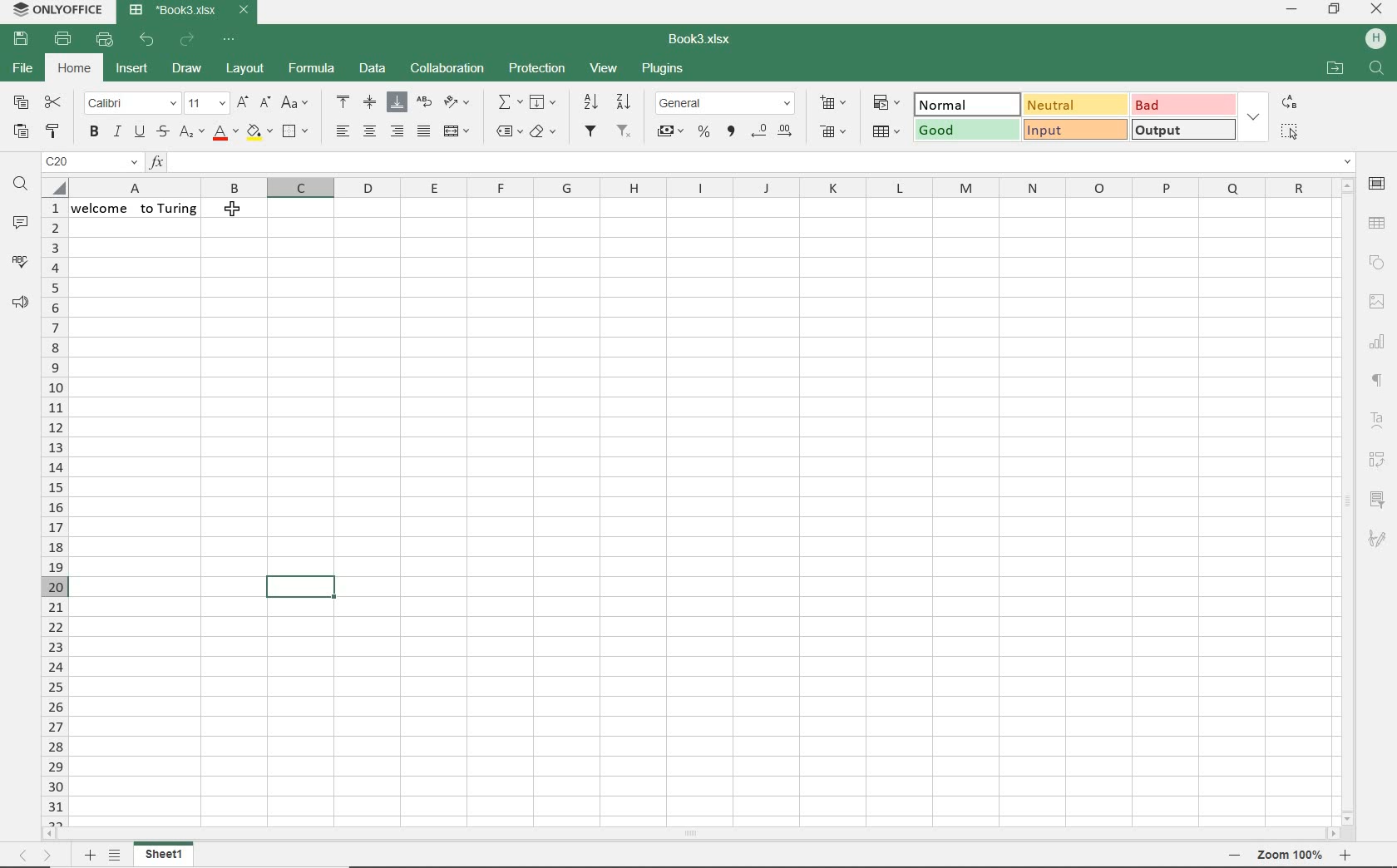 The image size is (1397, 868). What do you see at coordinates (1074, 104) in the screenshot?
I see `Neutral` at bounding box center [1074, 104].